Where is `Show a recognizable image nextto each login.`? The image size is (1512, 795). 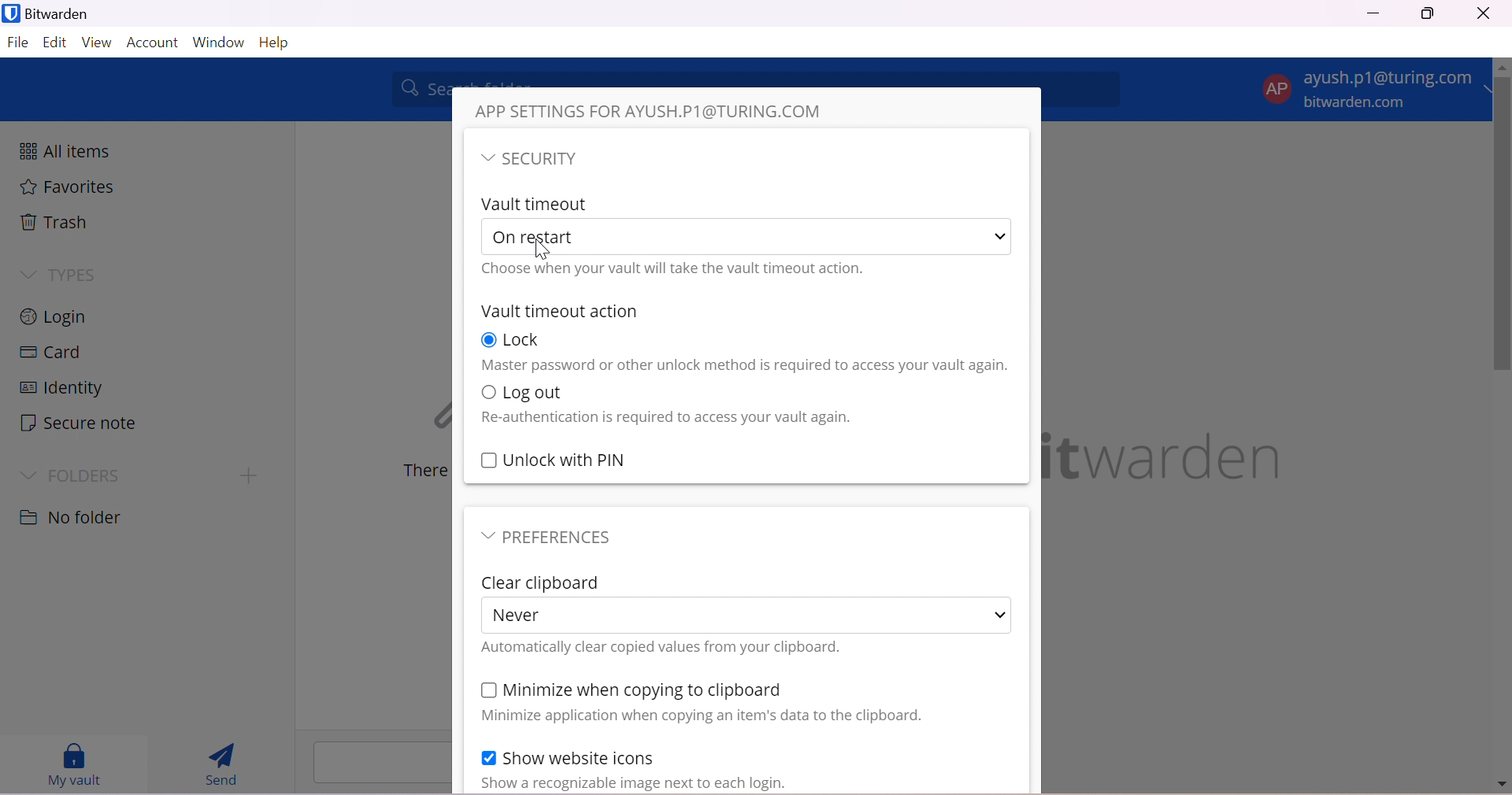
Show a recognizable image nextto each login. is located at coordinates (636, 784).